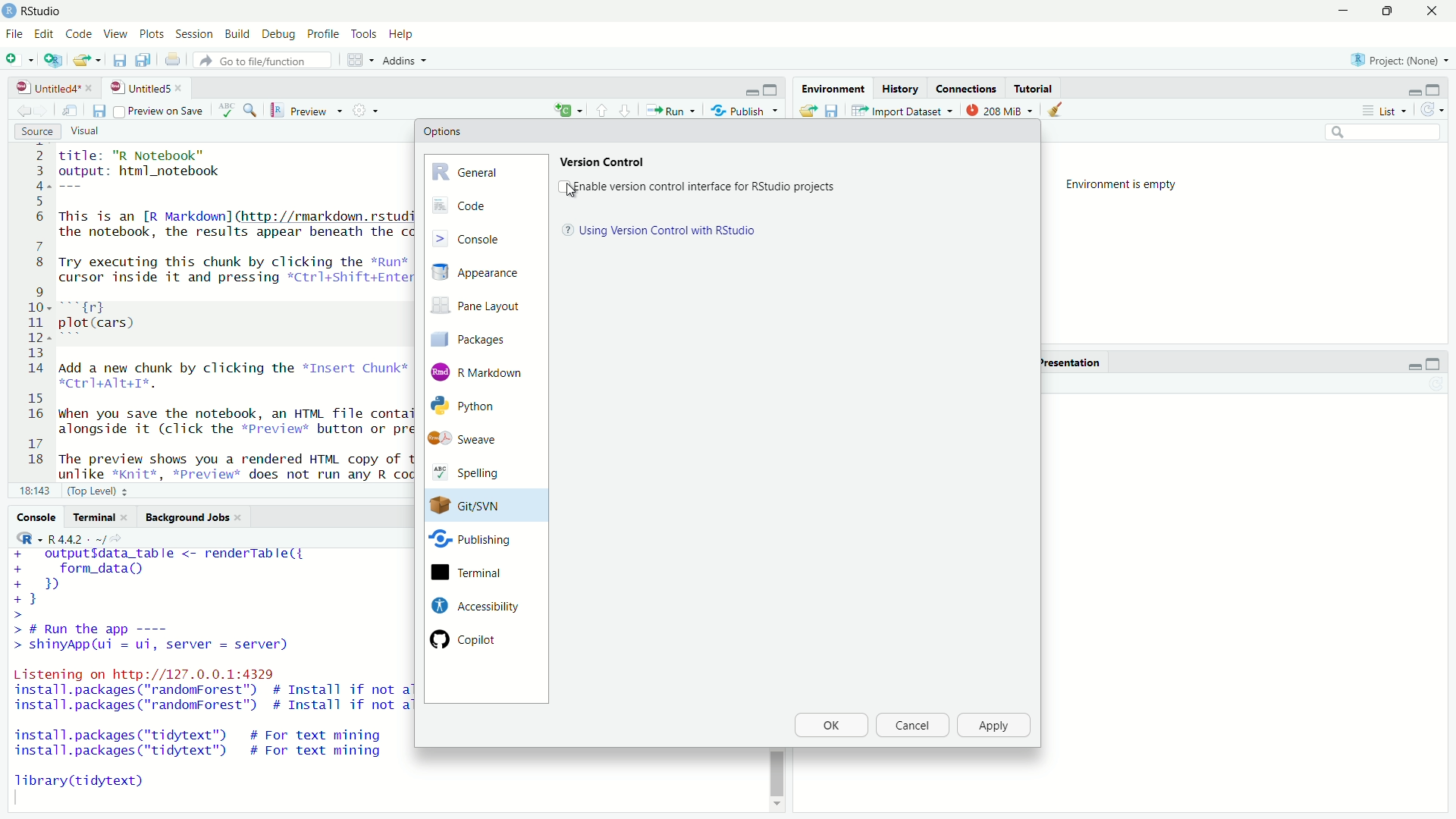 The width and height of the screenshot is (1456, 819). What do you see at coordinates (32, 311) in the screenshot?
I see `2 3 4 5 6 7 8 9 10 11 12 13 14 15 16 17 18` at bounding box center [32, 311].